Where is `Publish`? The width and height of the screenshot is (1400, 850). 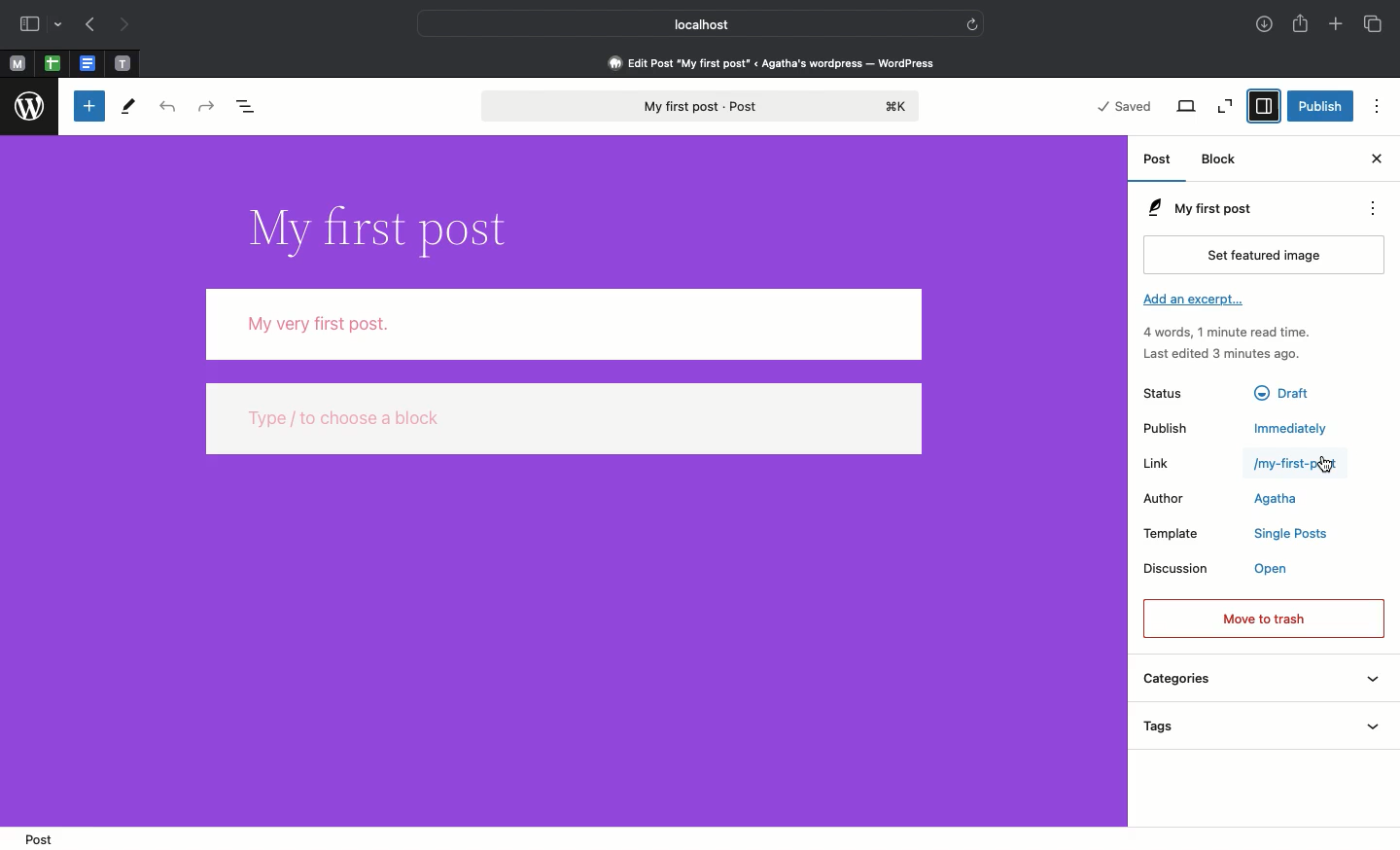 Publish is located at coordinates (1166, 426).